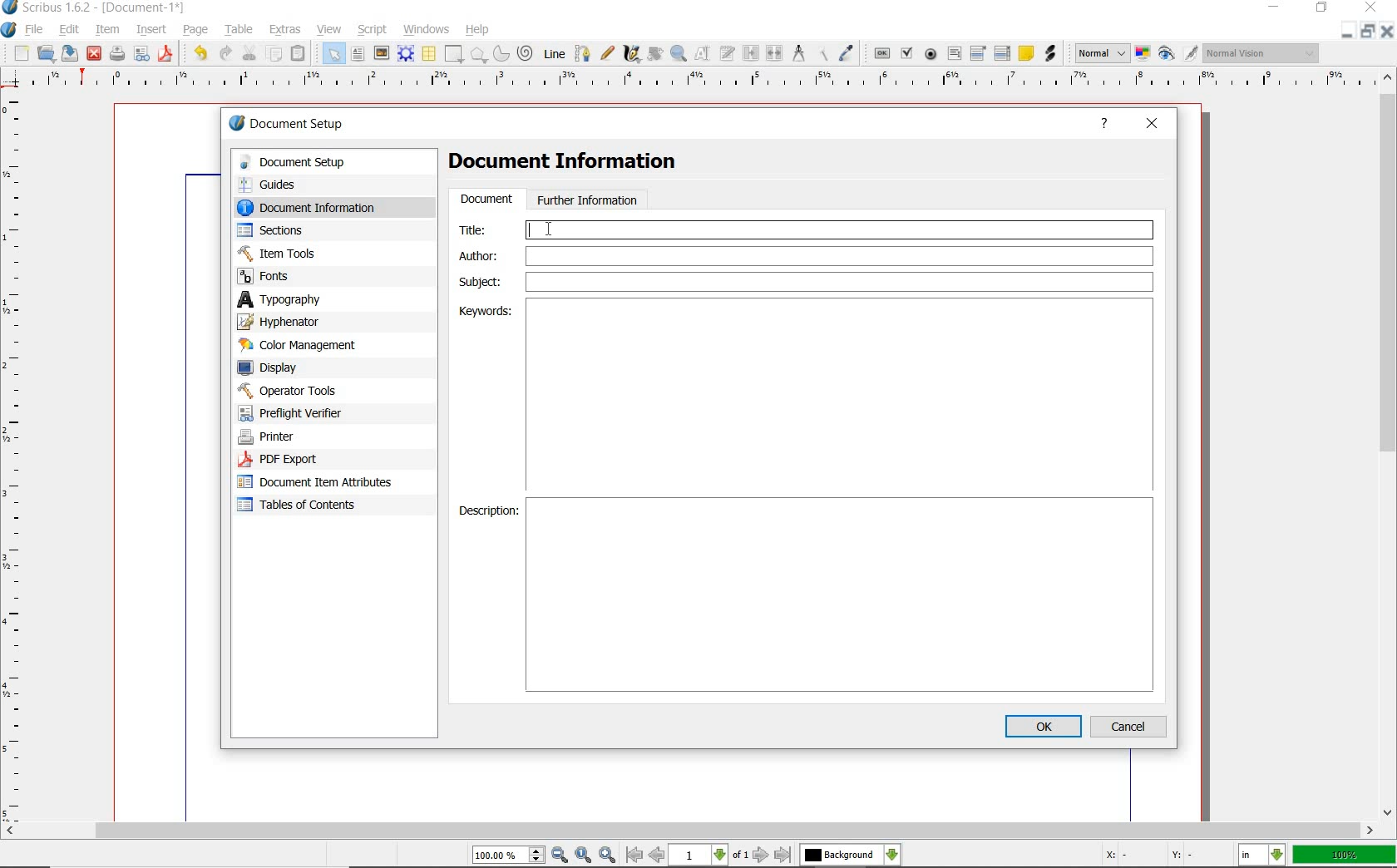  Describe the element at coordinates (705, 83) in the screenshot. I see `ruler` at that location.